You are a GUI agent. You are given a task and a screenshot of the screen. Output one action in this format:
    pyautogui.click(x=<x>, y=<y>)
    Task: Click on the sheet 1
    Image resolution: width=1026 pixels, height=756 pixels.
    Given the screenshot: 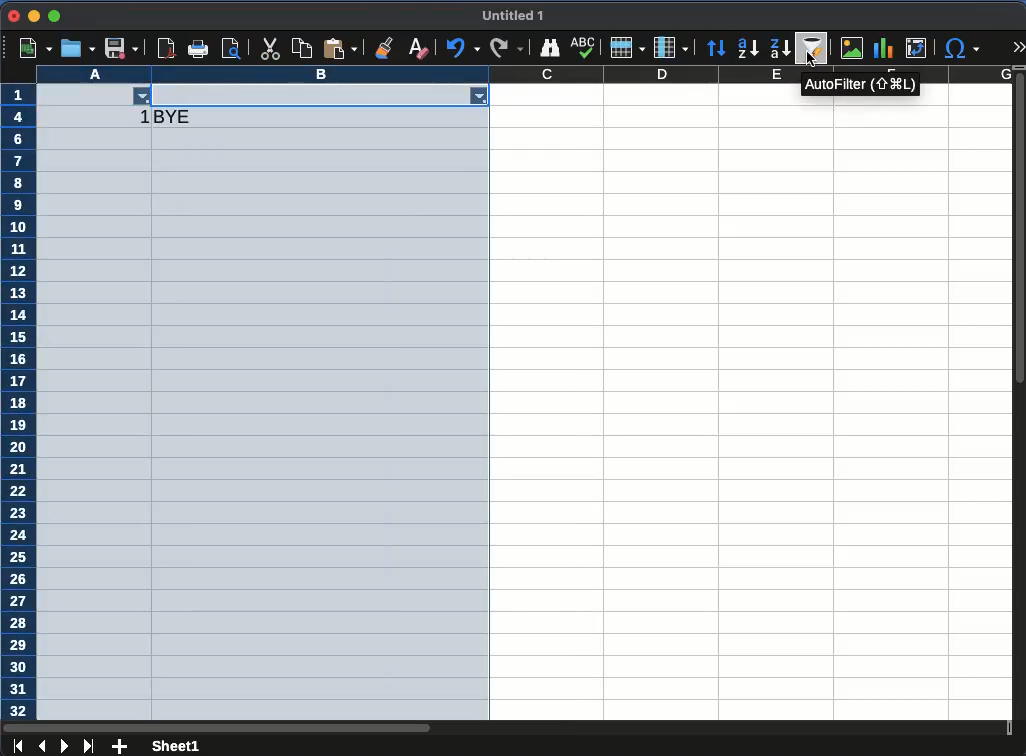 What is the action you would take?
    pyautogui.click(x=176, y=745)
    